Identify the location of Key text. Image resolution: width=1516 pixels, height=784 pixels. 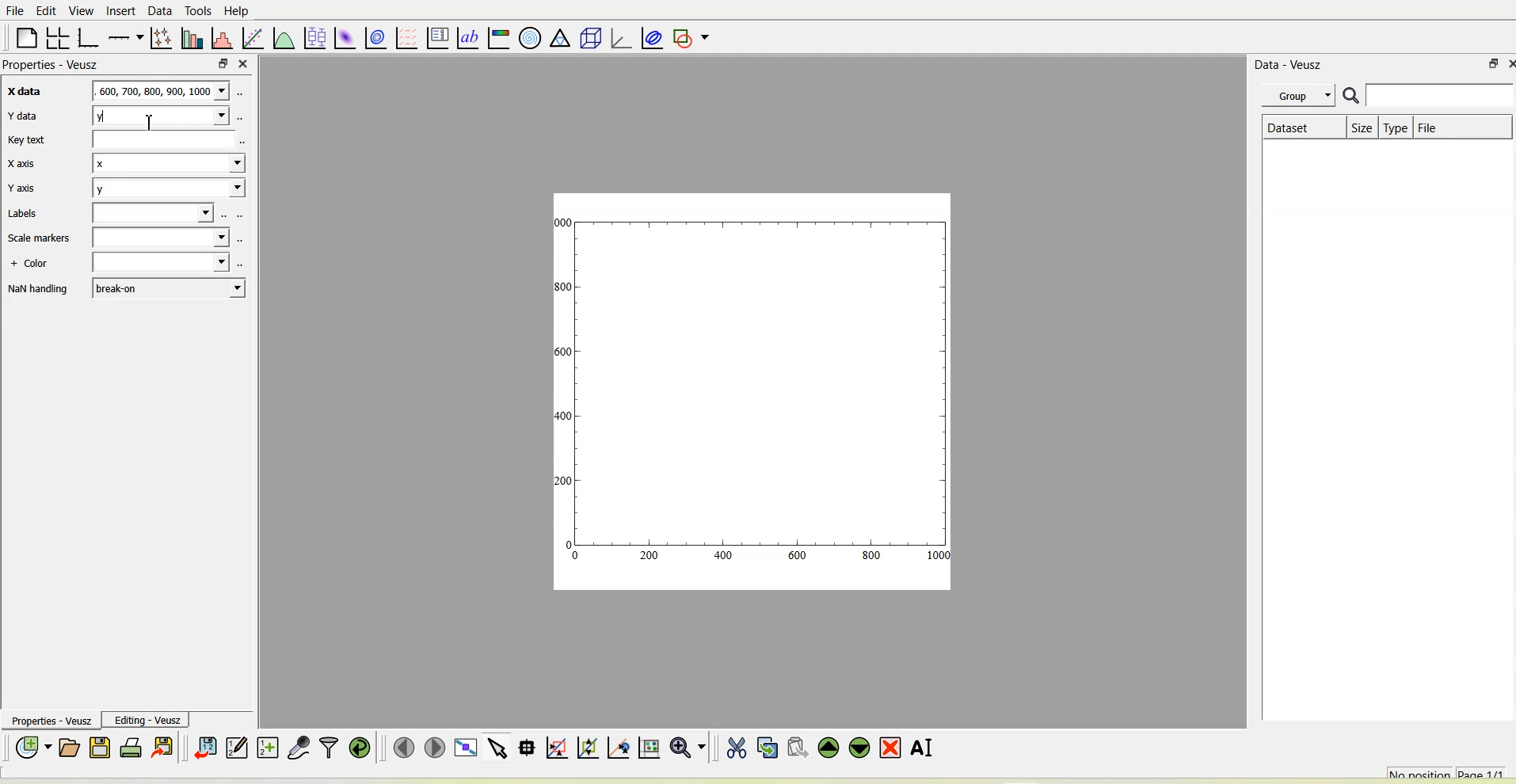
(29, 140).